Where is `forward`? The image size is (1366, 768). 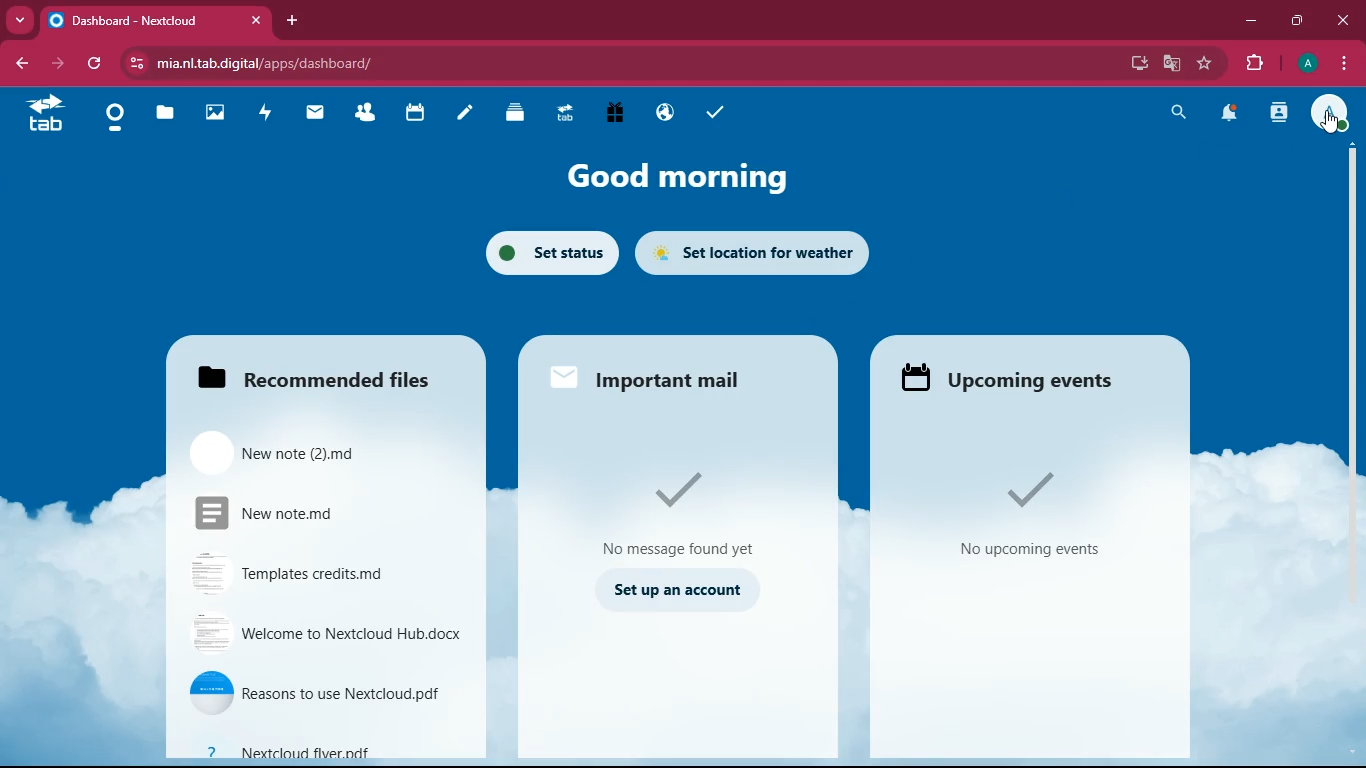 forward is located at coordinates (55, 62).